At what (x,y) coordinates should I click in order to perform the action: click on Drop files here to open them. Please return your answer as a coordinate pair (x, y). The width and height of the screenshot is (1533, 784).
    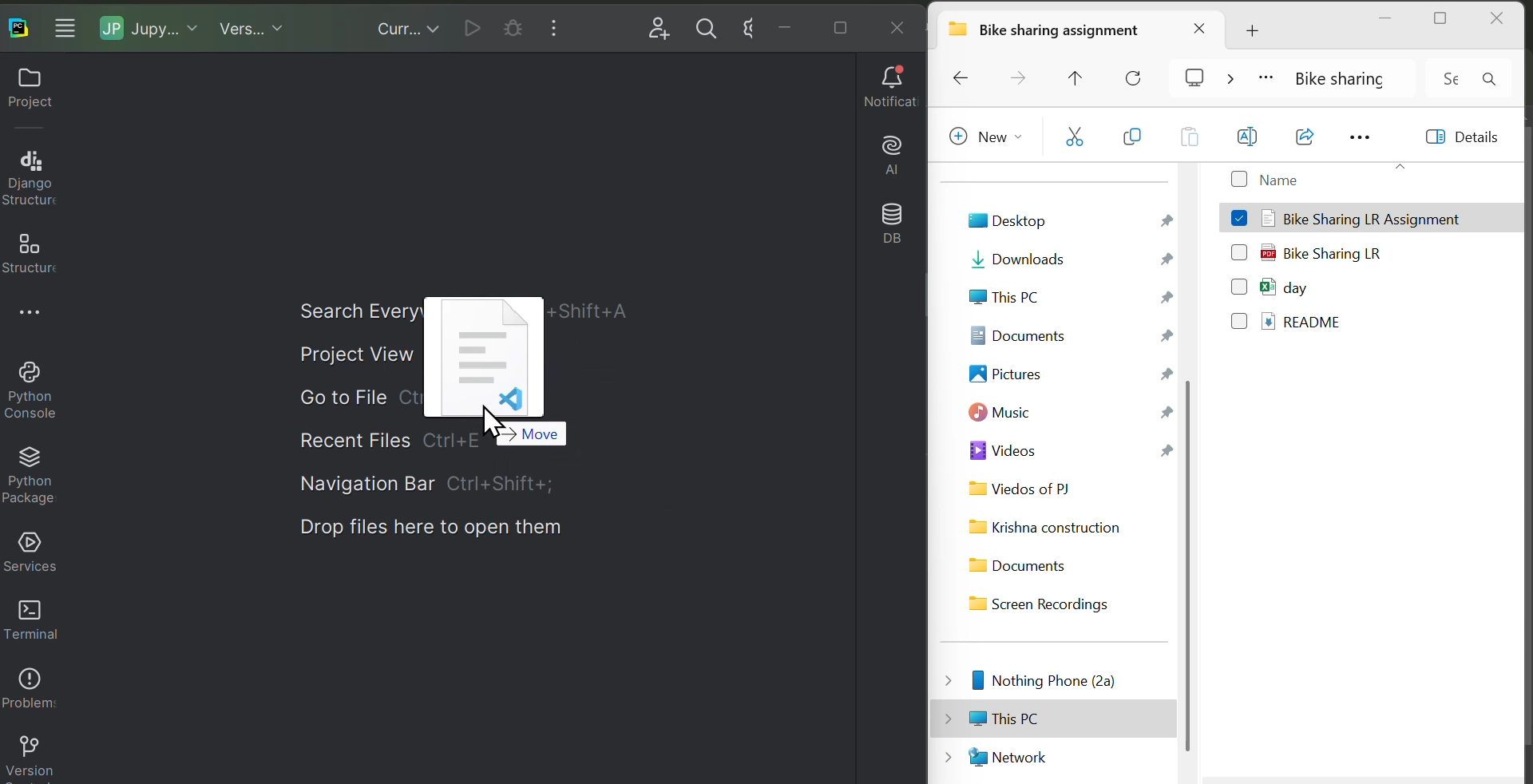
    Looking at the image, I should click on (458, 532).